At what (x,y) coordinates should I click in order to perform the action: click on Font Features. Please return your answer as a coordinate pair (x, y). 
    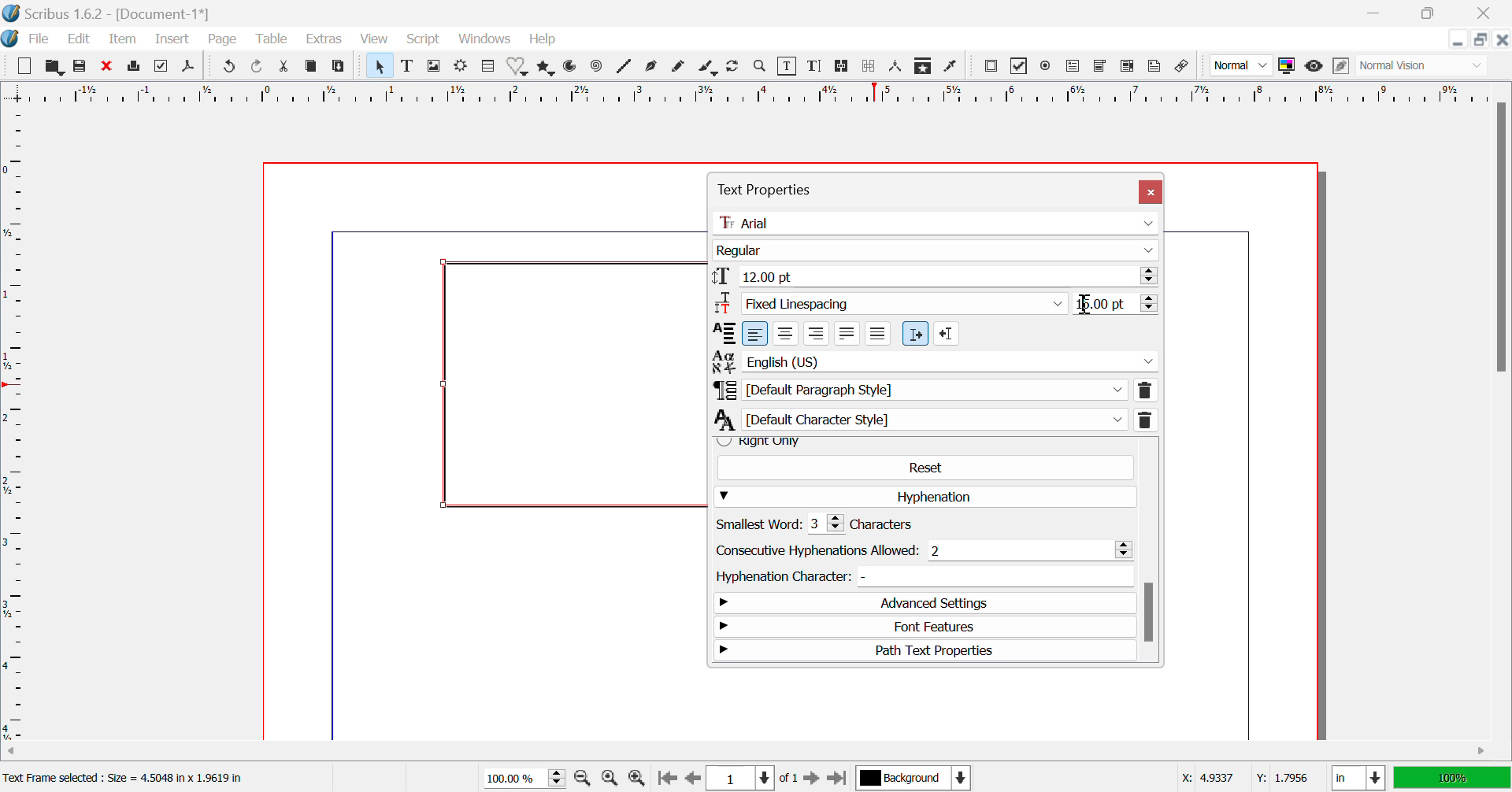
    Looking at the image, I should click on (925, 628).